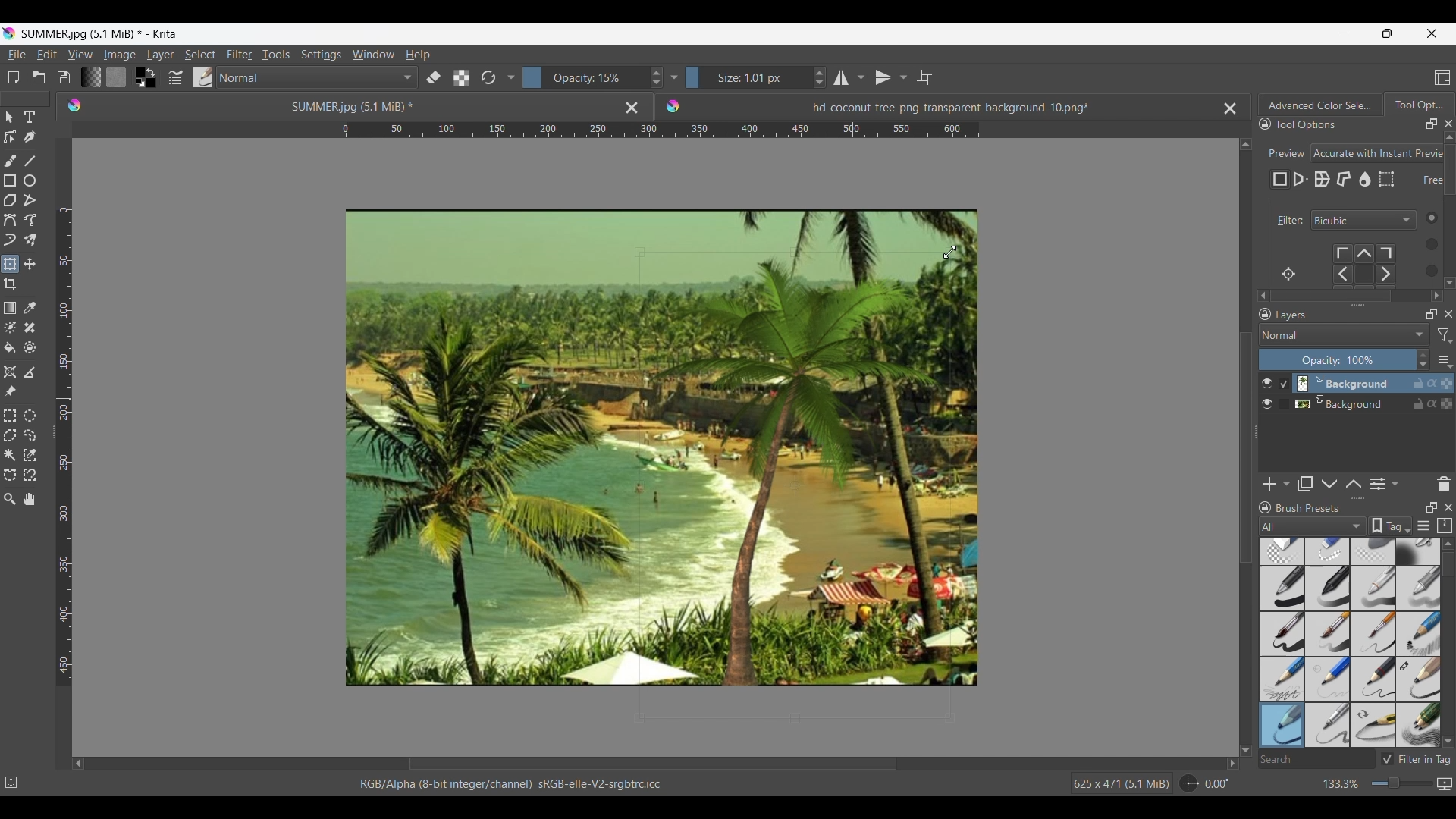 The width and height of the screenshot is (1456, 819). What do you see at coordinates (16, 55) in the screenshot?
I see `File` at bounding box center [16, 55].